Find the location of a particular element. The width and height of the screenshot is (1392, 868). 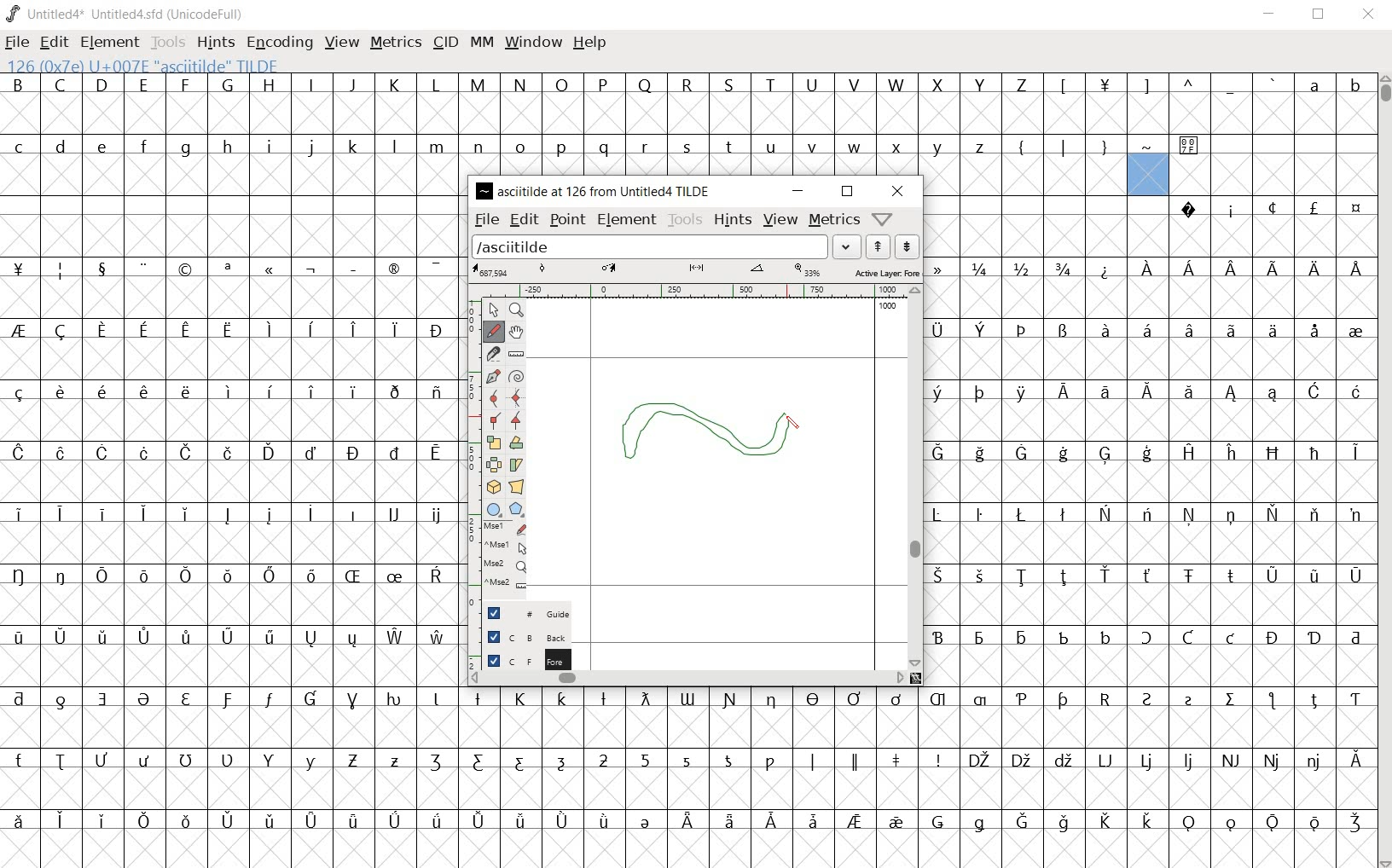

load word list is located at coordinates (665, 246).